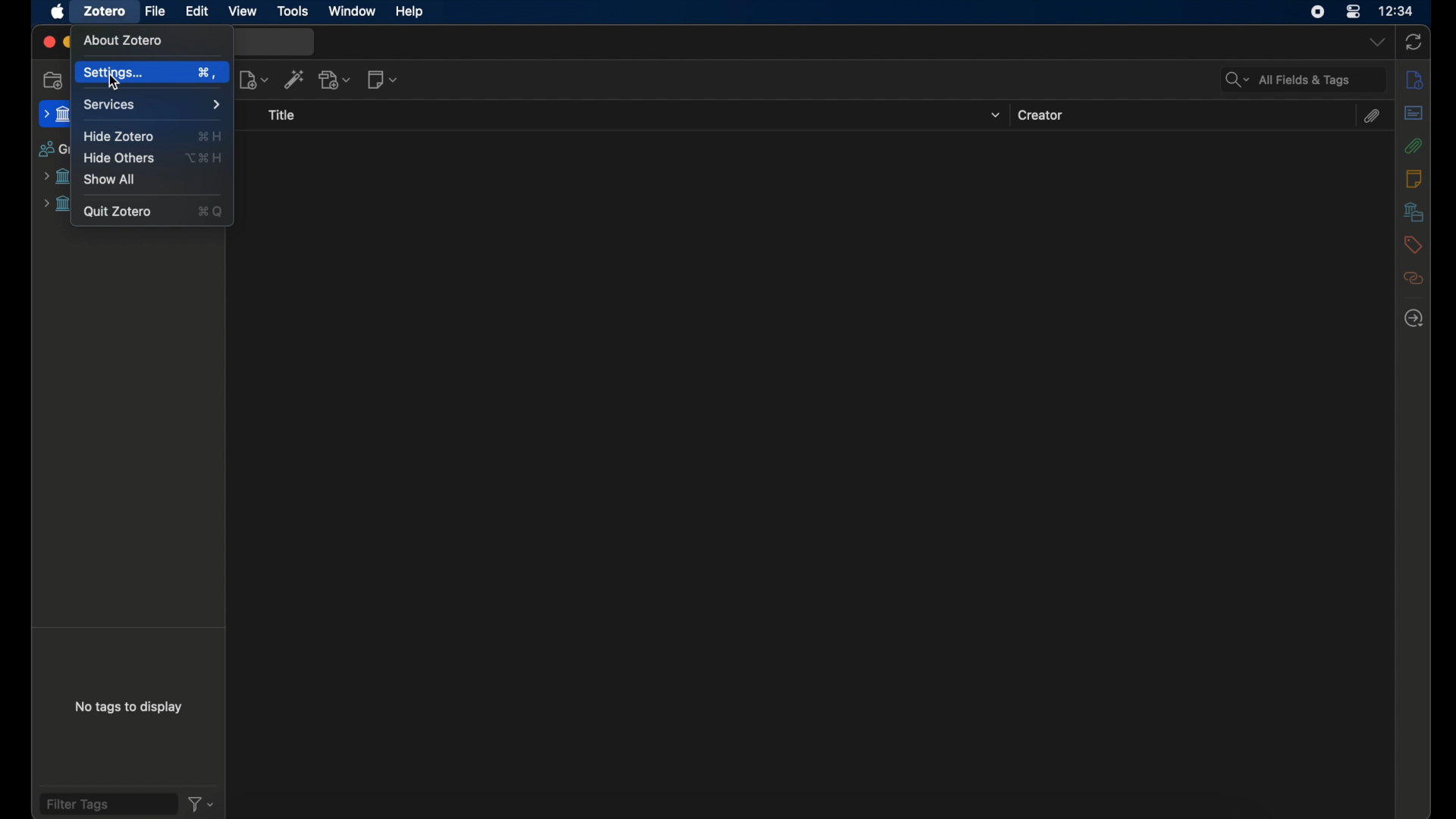  What do you see at coordinates (1375, 43) in the screenshot?
I see `dropdown` at bounding box center [1375, 43].